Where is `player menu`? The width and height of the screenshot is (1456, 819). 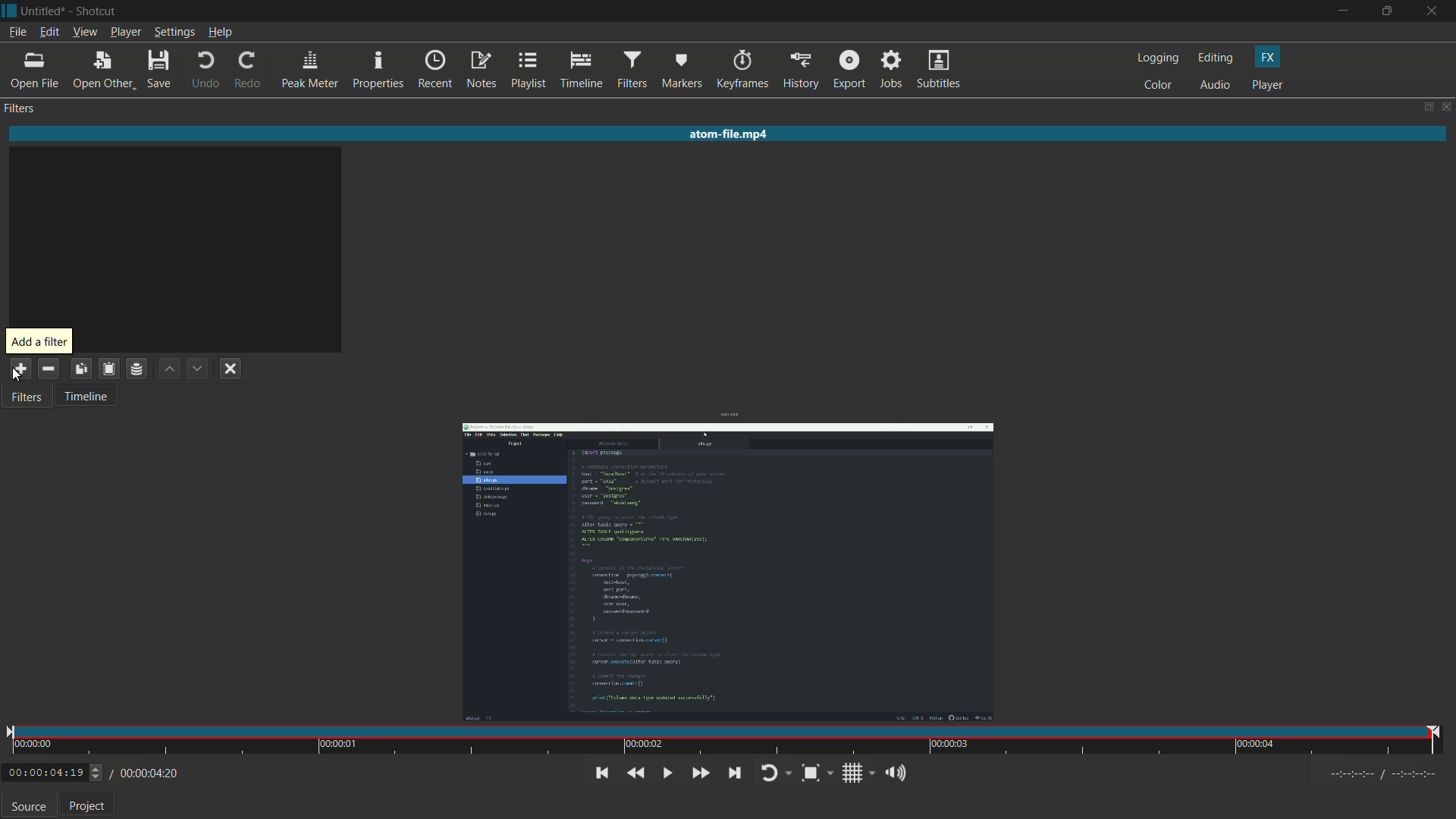 player menu is located at coordinates (127, 33).